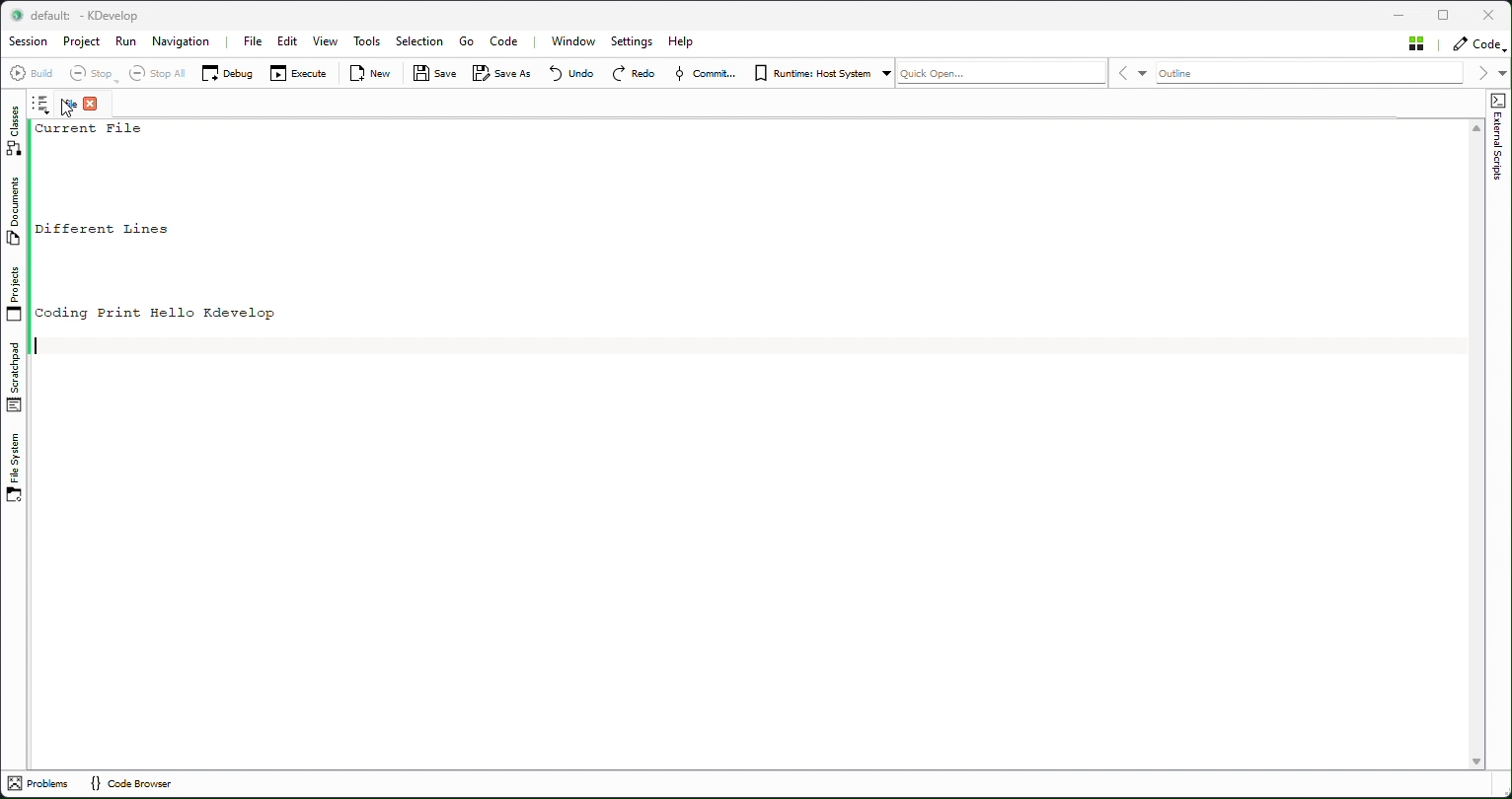 This screenshot has height=799, width=1512. Describe the element at coordinates (1004, 73) in the screenshot. I see `Quick open` at that location.